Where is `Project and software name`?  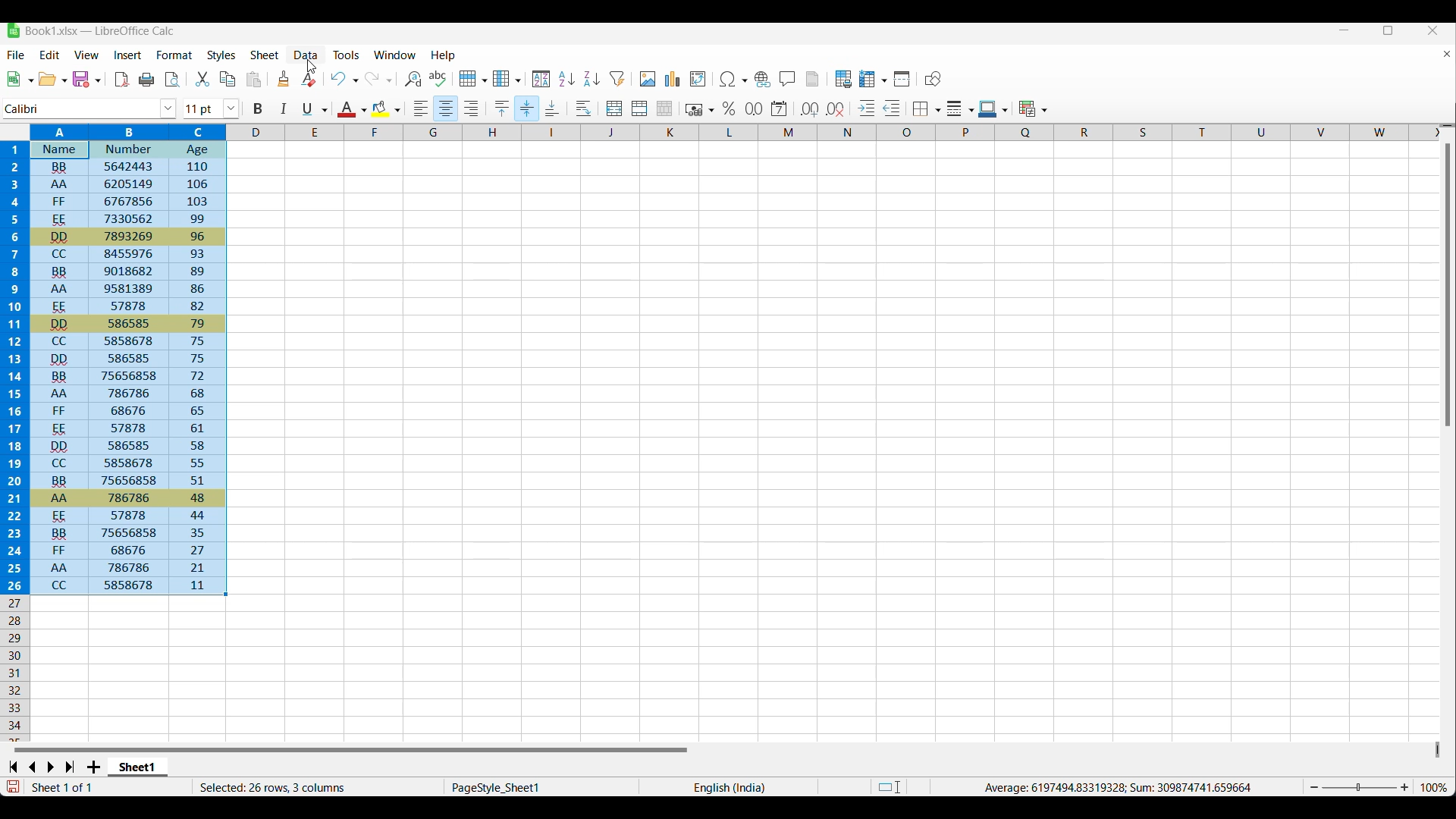
Project and software name is located at coordinates (100, 31).